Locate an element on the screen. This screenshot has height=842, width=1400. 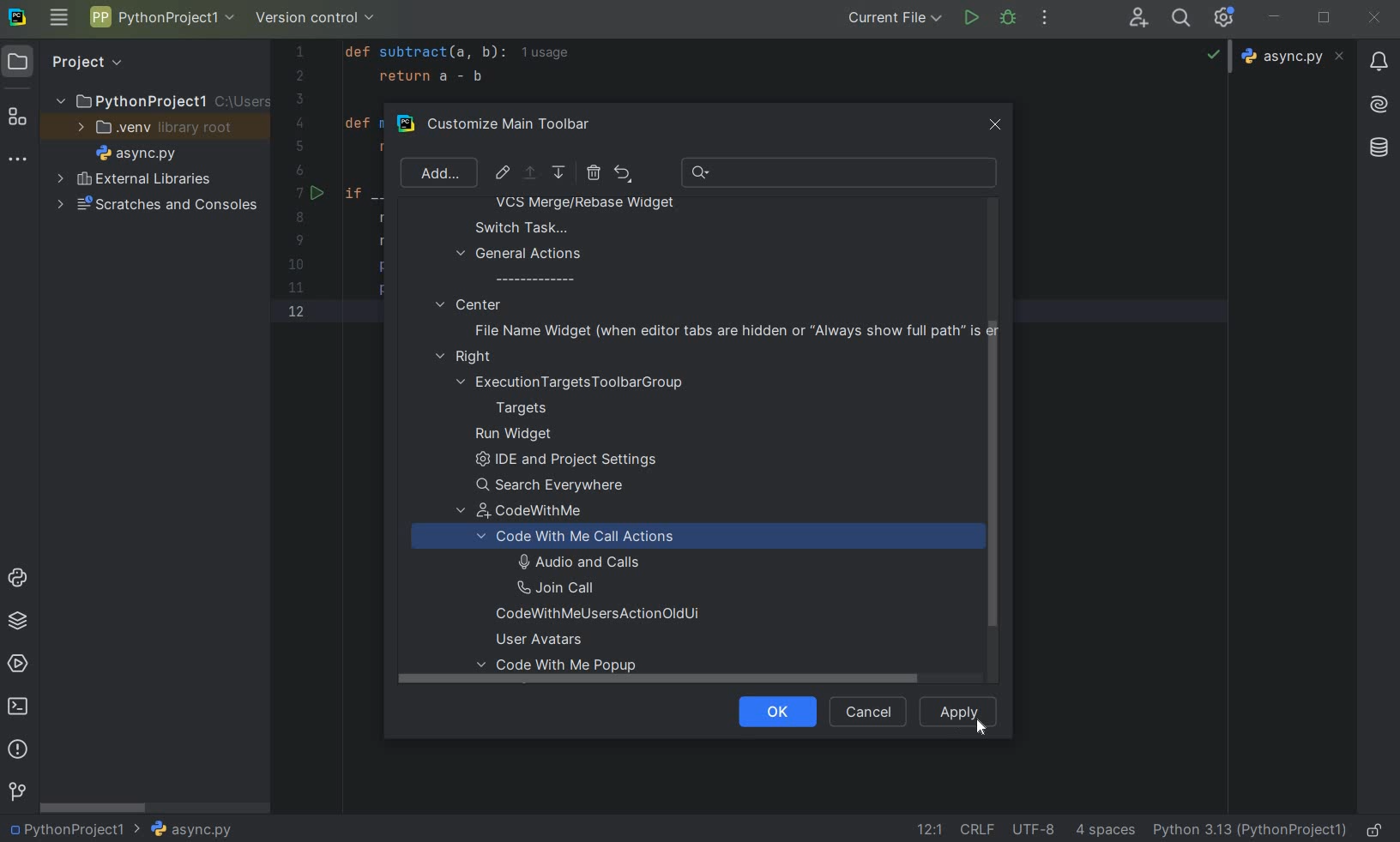
codewithme is located at coordinates (532, 514).